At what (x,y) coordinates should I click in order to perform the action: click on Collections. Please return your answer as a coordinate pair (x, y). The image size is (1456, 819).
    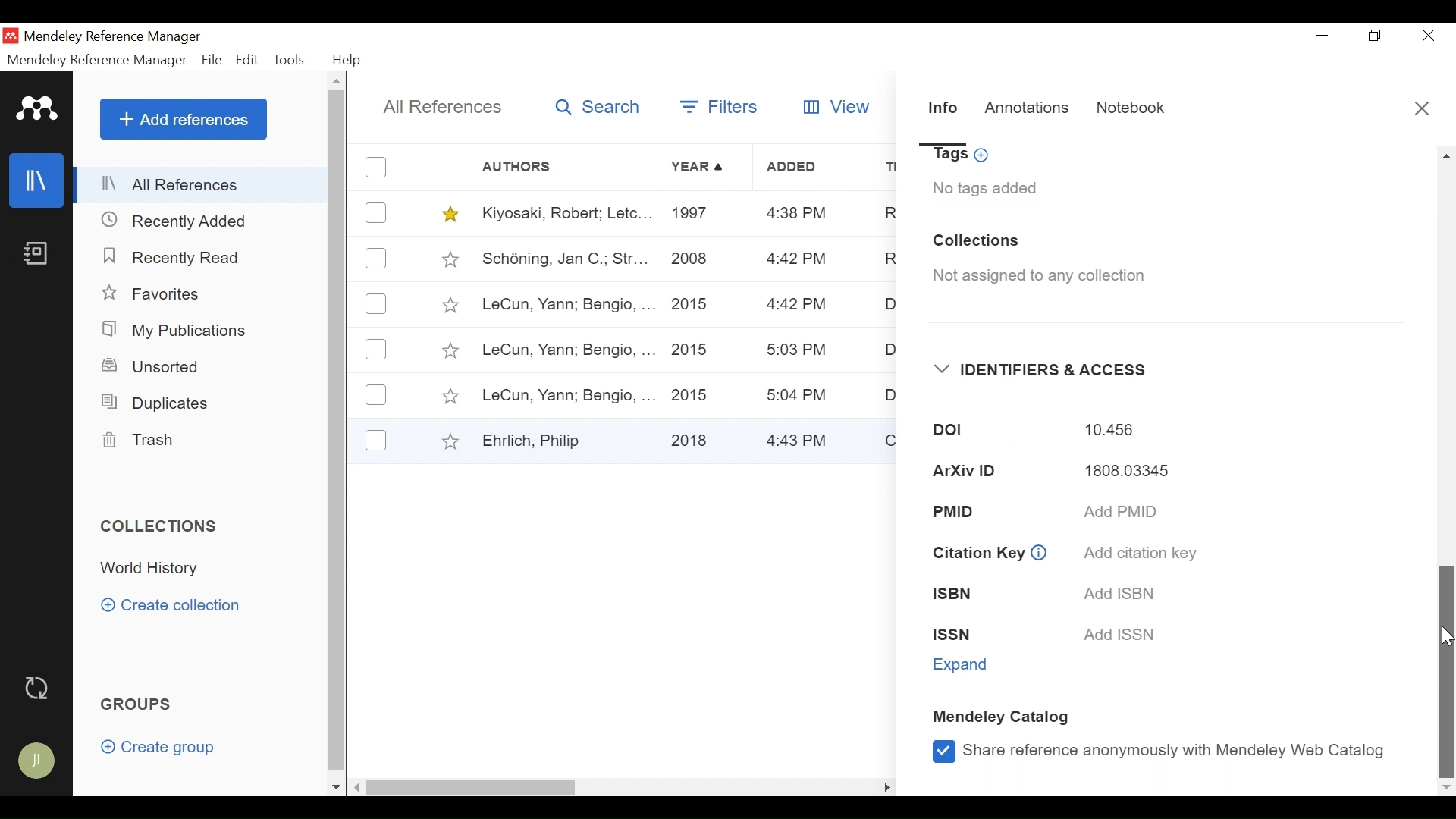
    Looking at the image, I should click on (976, 241).